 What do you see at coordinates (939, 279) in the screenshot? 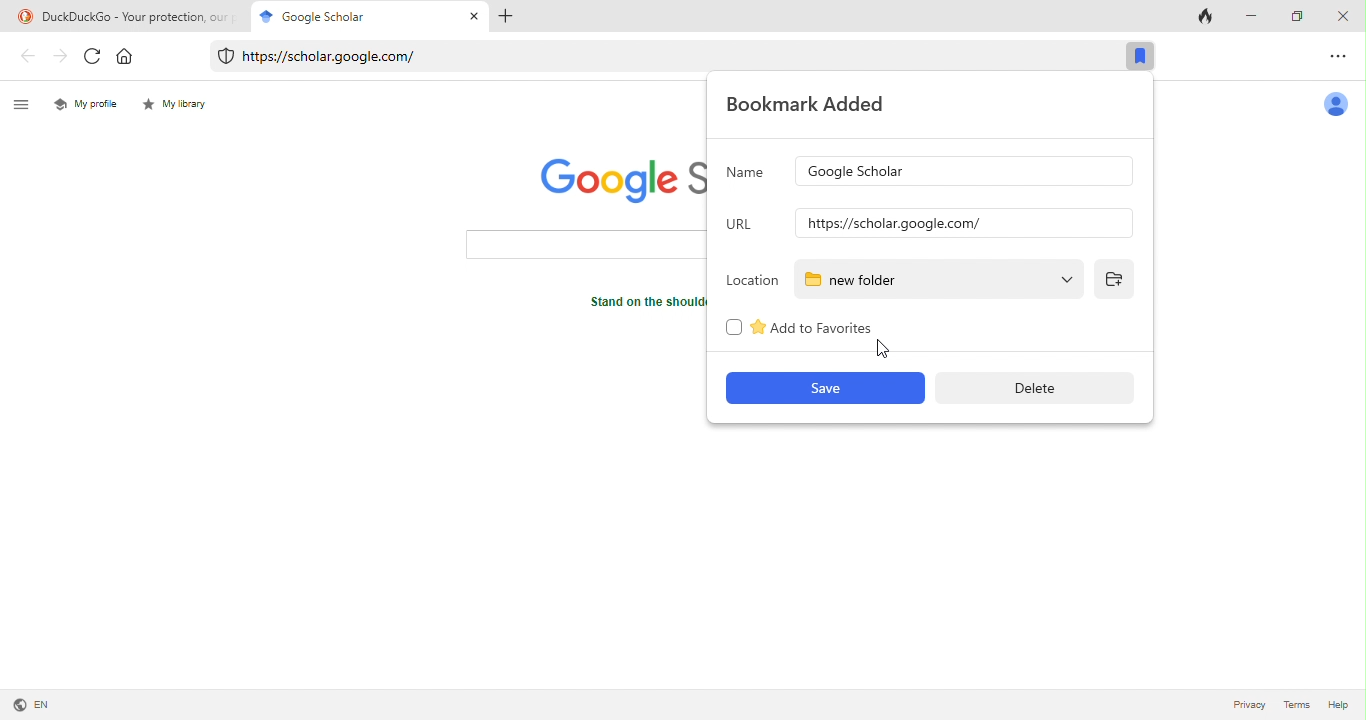
I see `new folder` at bounding box center [939, 279].